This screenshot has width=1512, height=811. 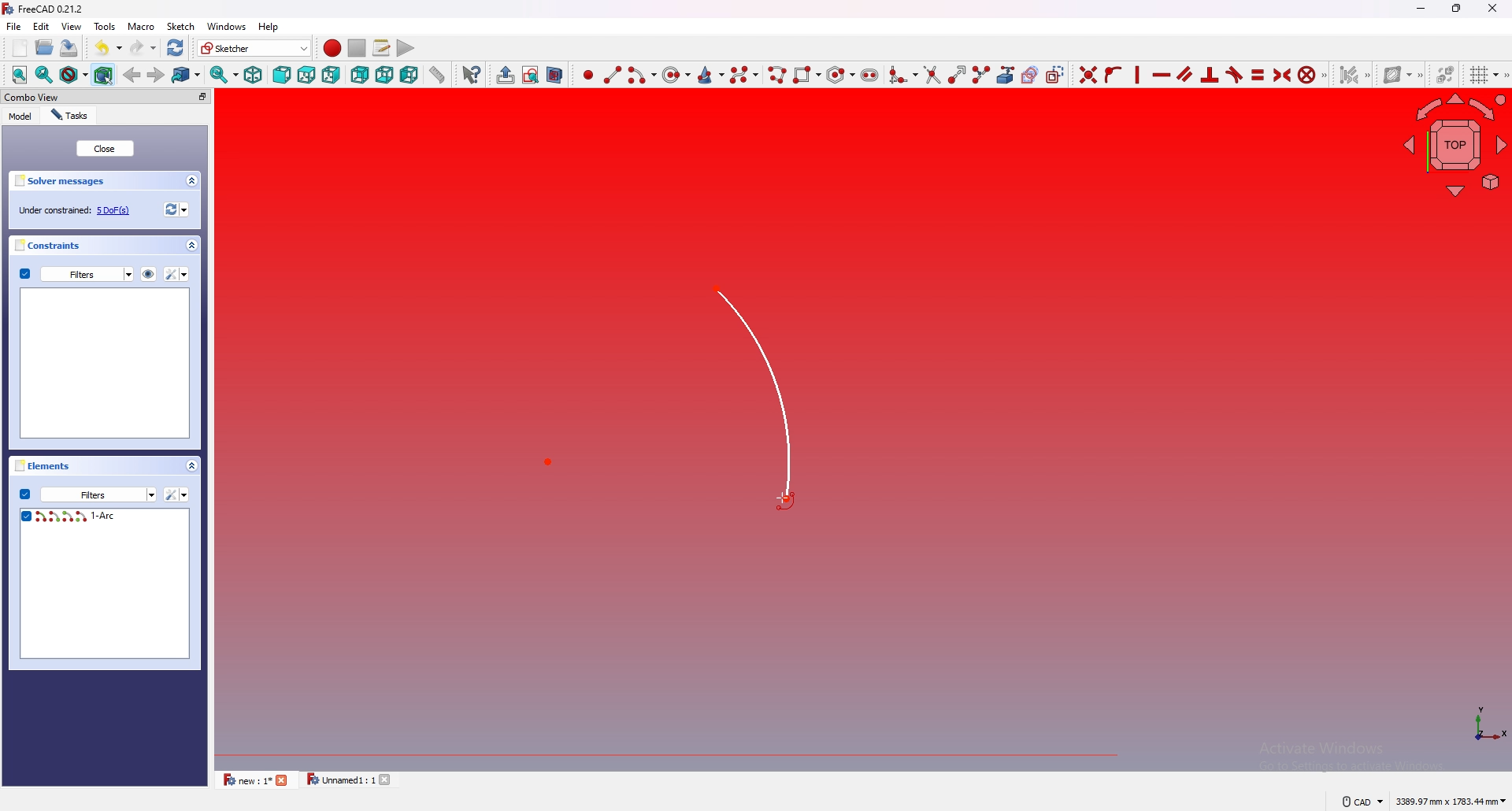 What do you see at coordinates (784, 499) in the screenshot?
I see `Cursor` at bounding box center [784, 499].